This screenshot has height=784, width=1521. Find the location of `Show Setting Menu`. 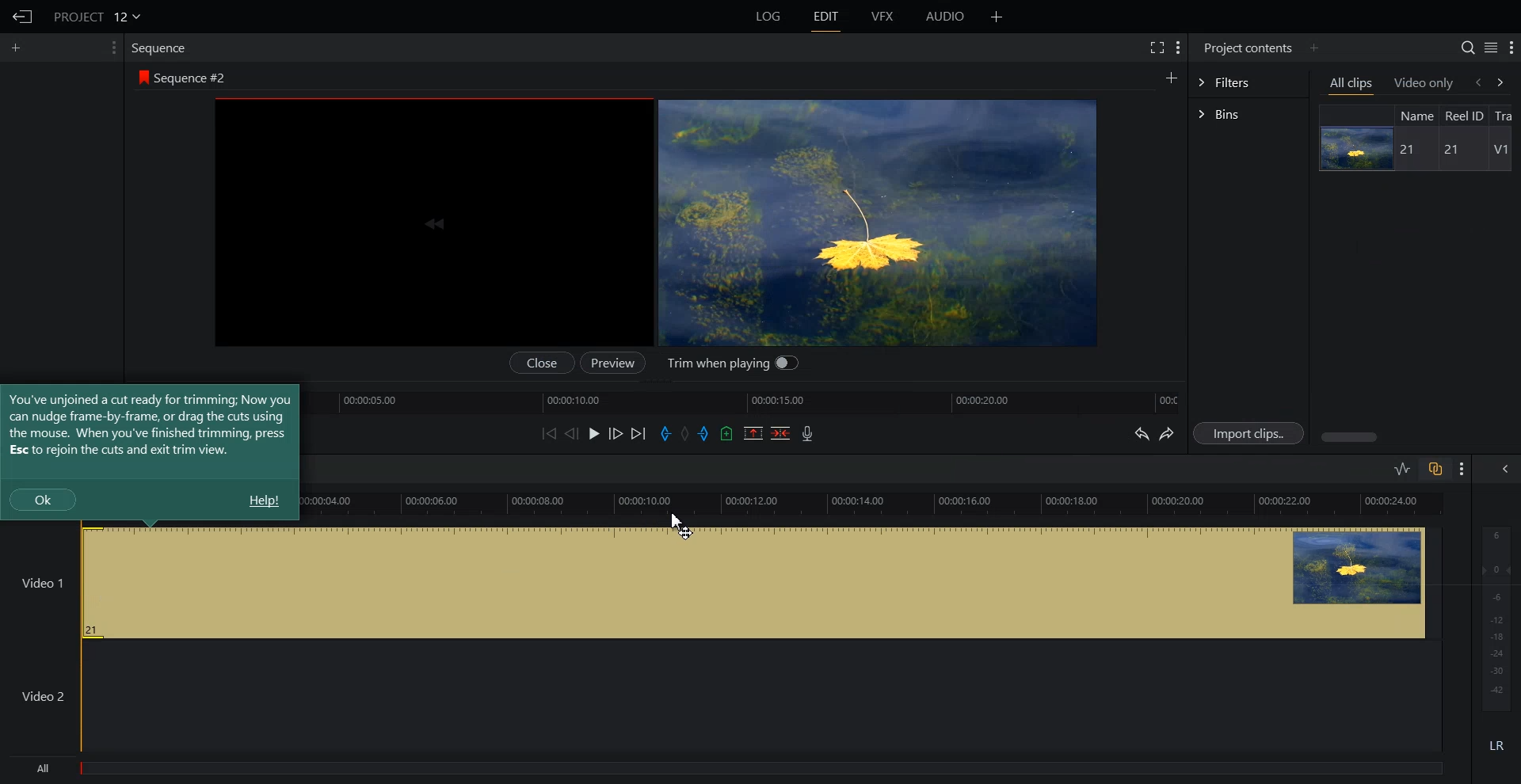

Show Setting Menu is located at coordinates (1179, 49).